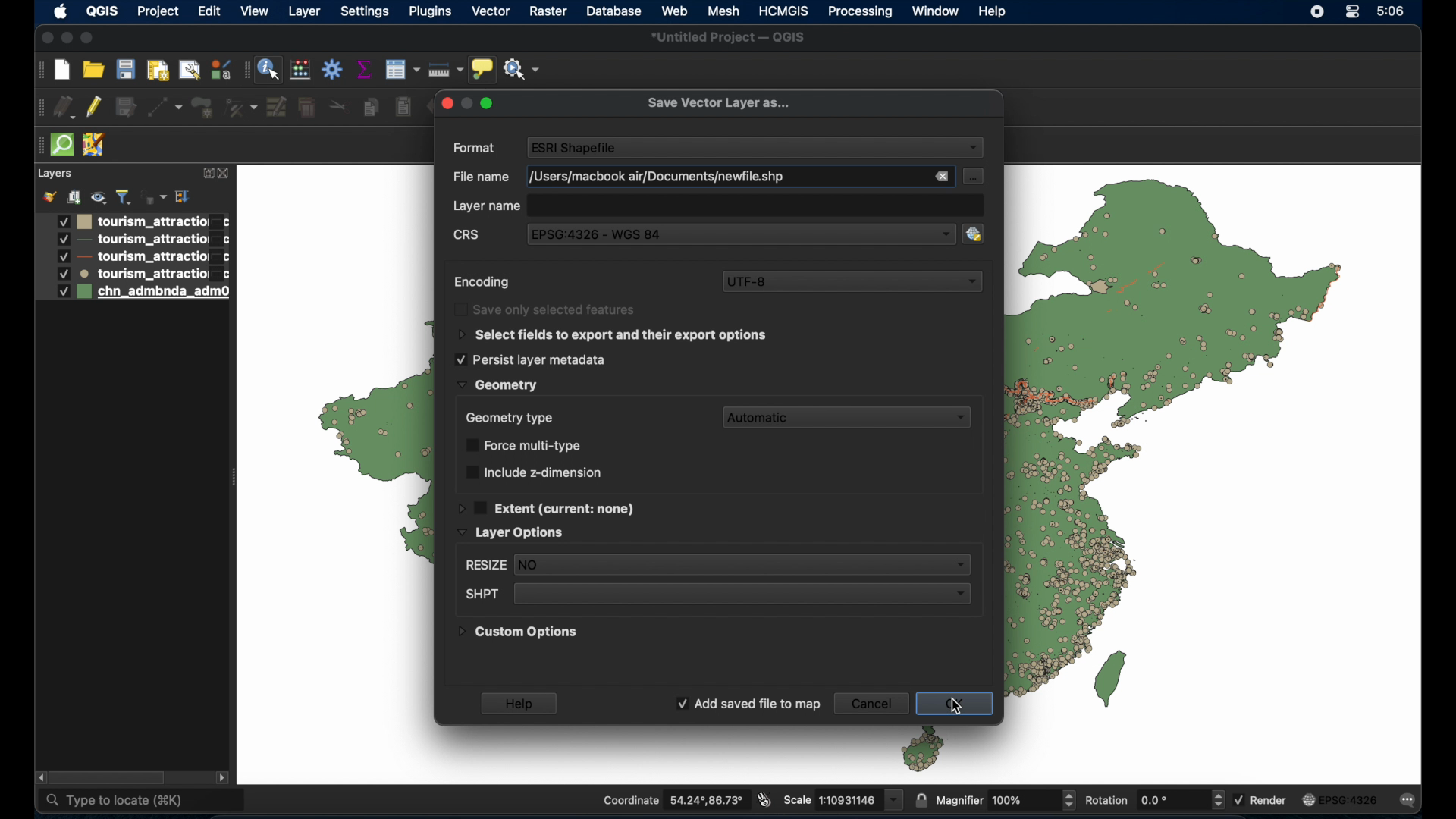 The image size is (1456, 819). I want to click on vector, so click(492, 12).